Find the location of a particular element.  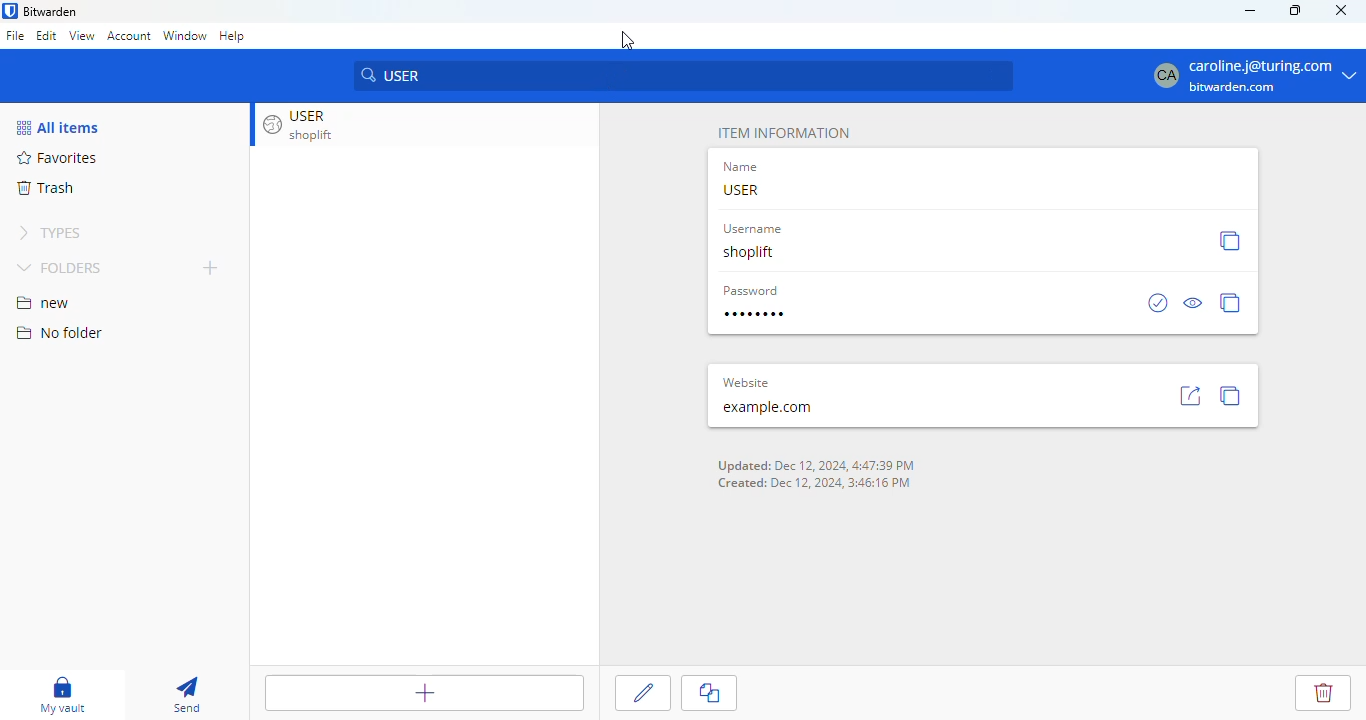

account is located at coordinates (129, 38).